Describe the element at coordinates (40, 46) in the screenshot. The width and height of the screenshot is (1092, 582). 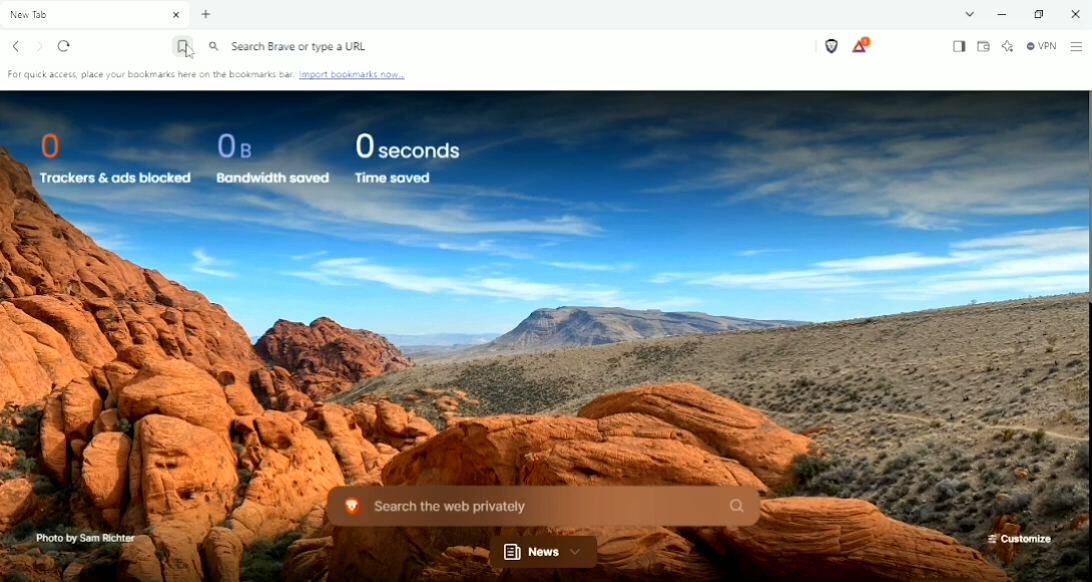
I see `Click to go forward` at that location.